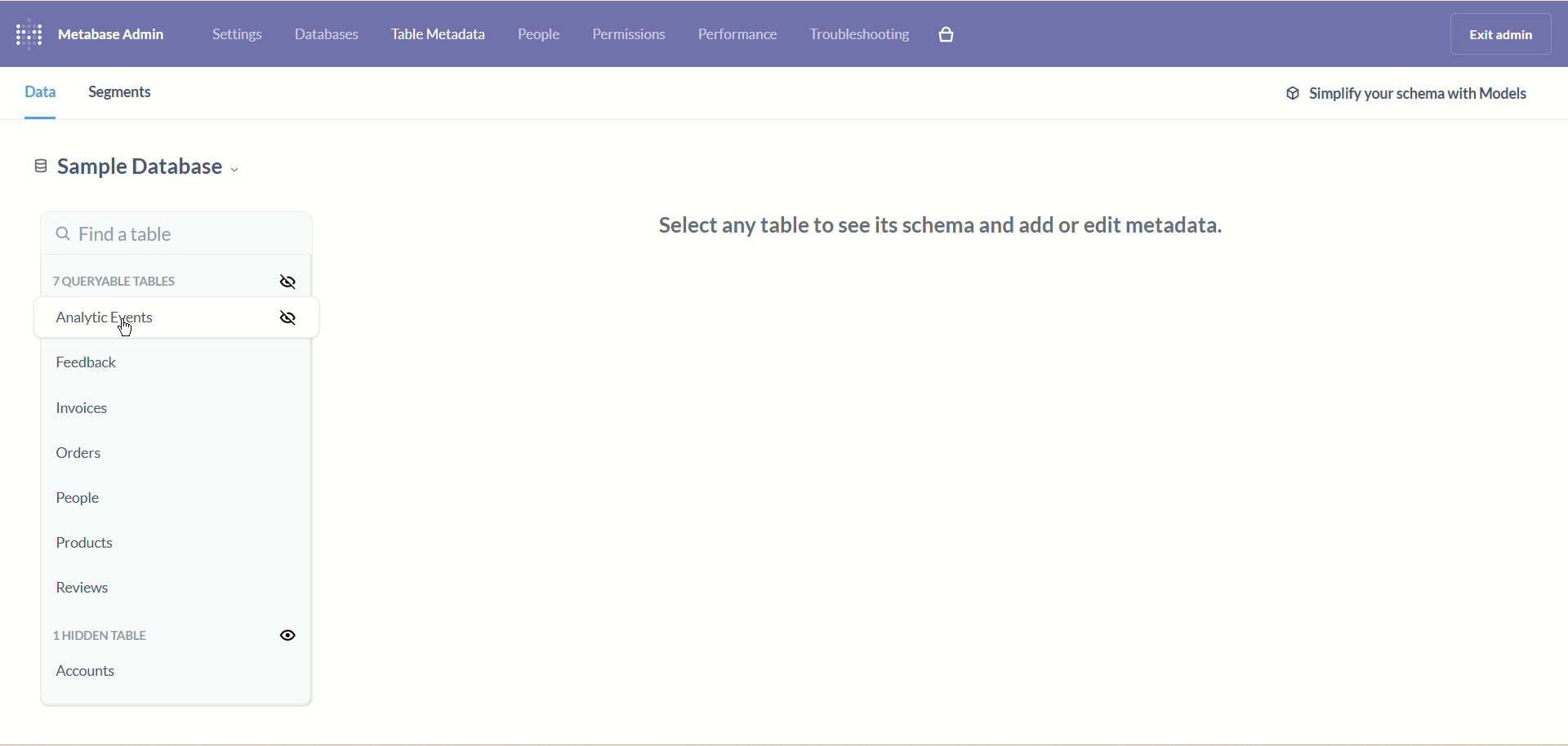 Image resolution: width=1568 pixels, height=746 pixels. What do you see at coordinates (278, 279) in the screenshot?
I see `Hide all` at bounding box center [278, 279].